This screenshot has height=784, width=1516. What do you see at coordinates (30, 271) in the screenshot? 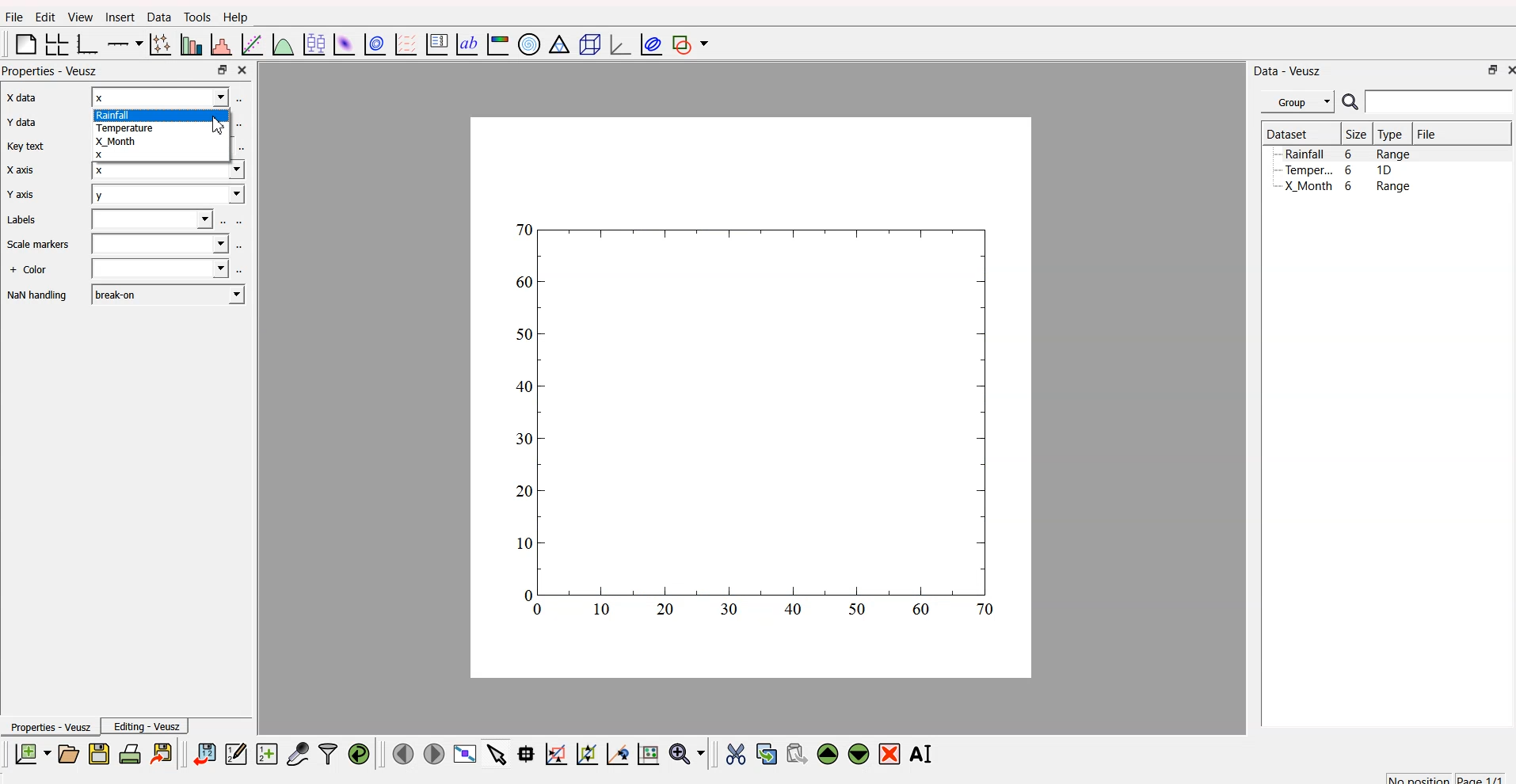
I see `+ Color` at bounding box center [30, 271].